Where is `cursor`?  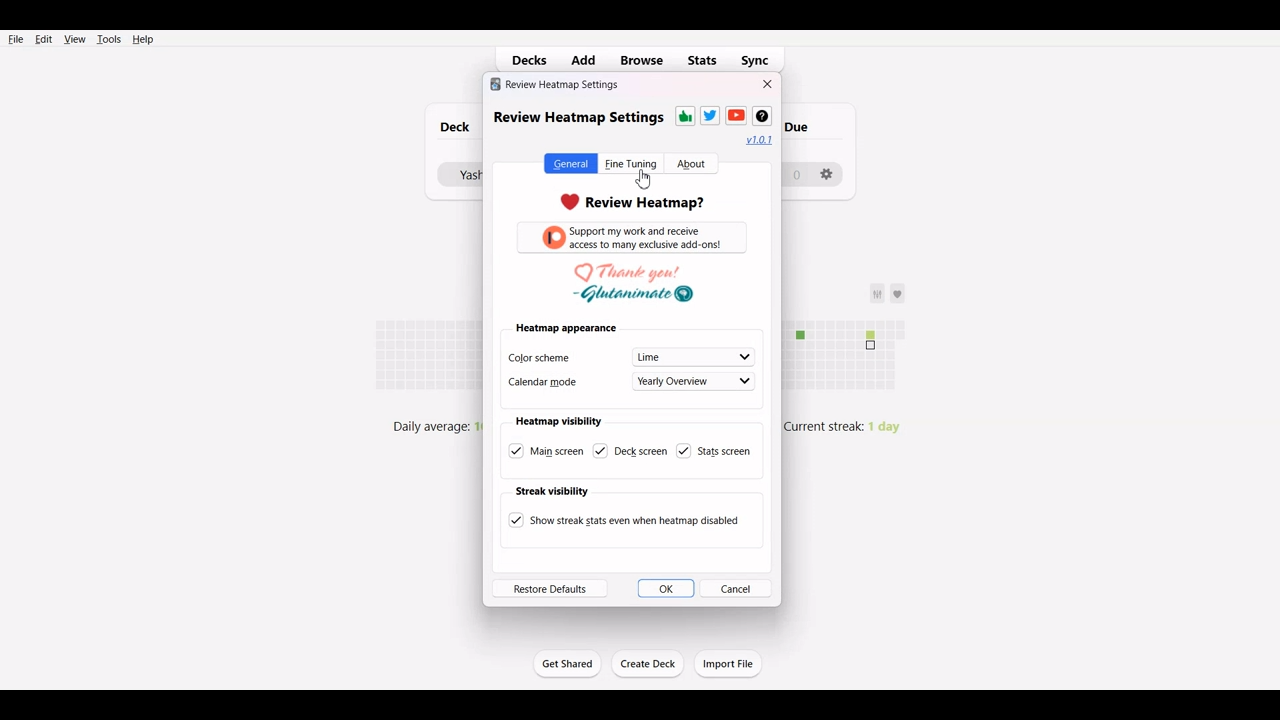
cursor is located at coordinates (645, 179).